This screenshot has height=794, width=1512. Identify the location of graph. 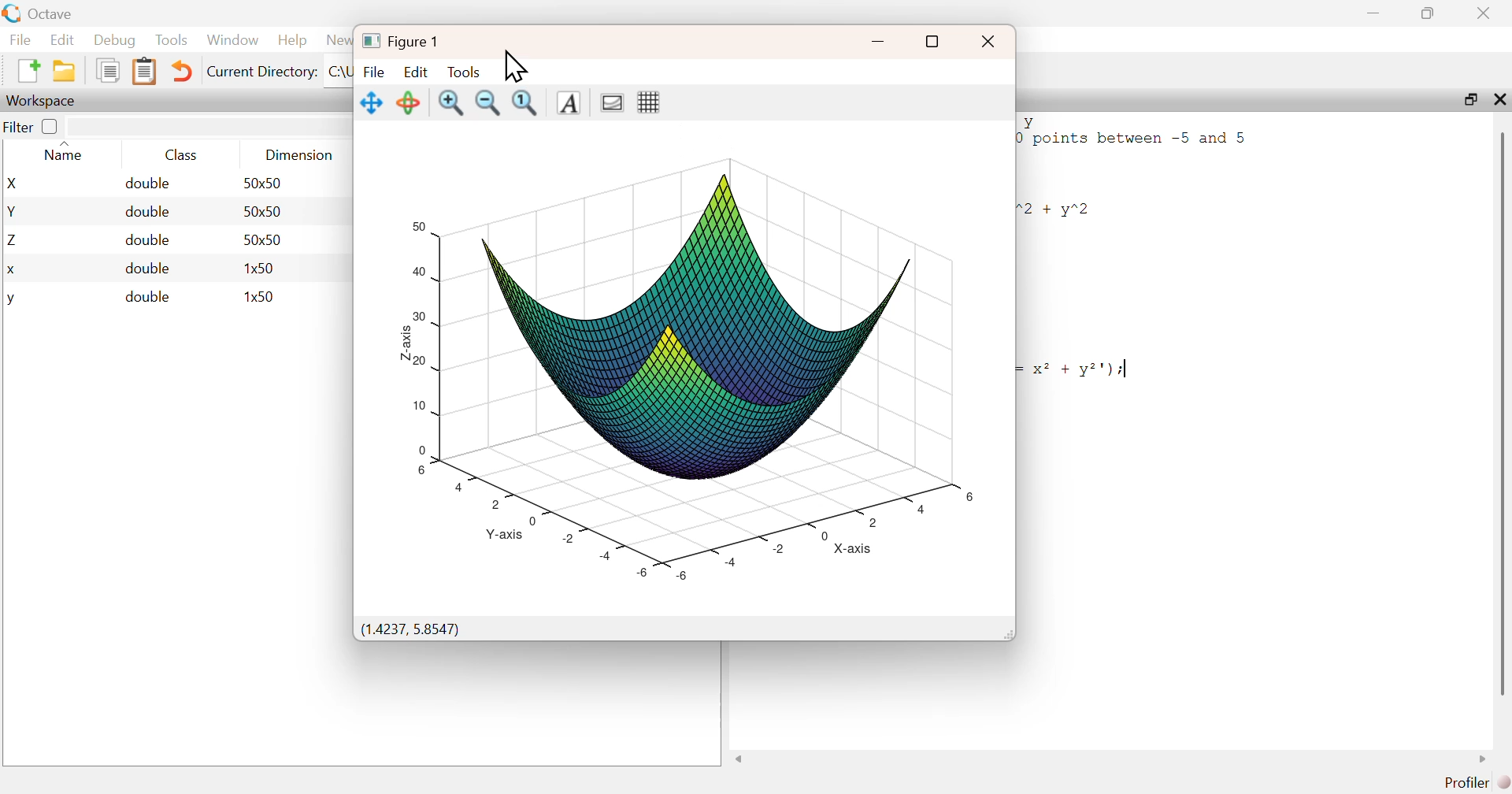
(688, 361).